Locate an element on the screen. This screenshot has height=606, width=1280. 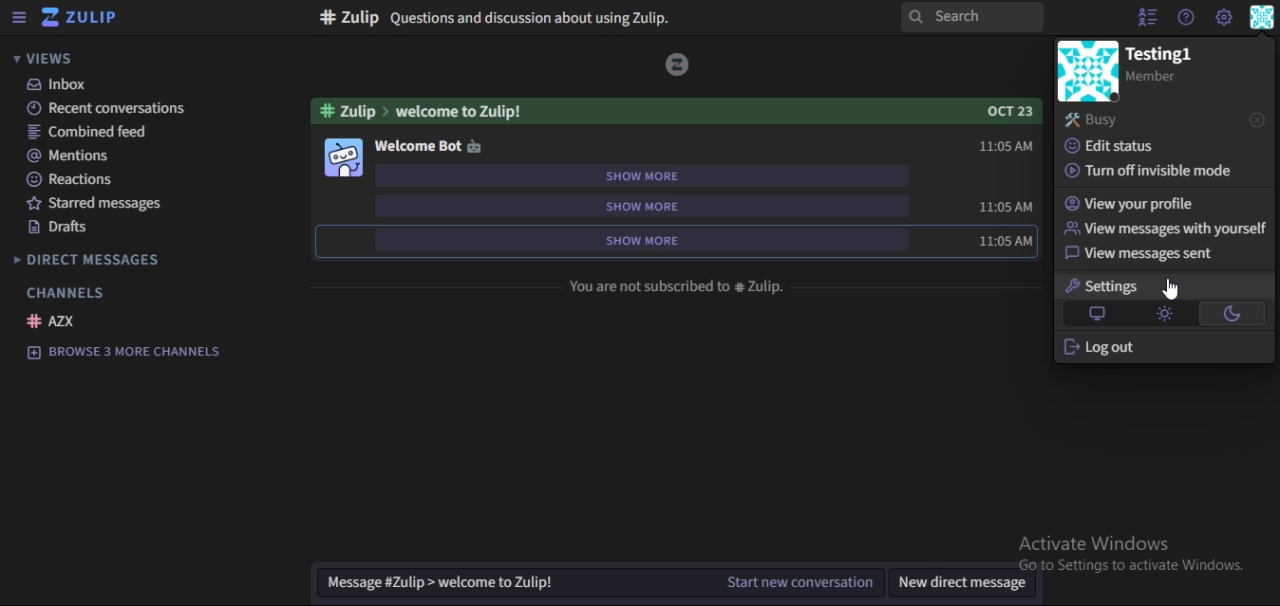
channels is located at coordinates (62, 288).